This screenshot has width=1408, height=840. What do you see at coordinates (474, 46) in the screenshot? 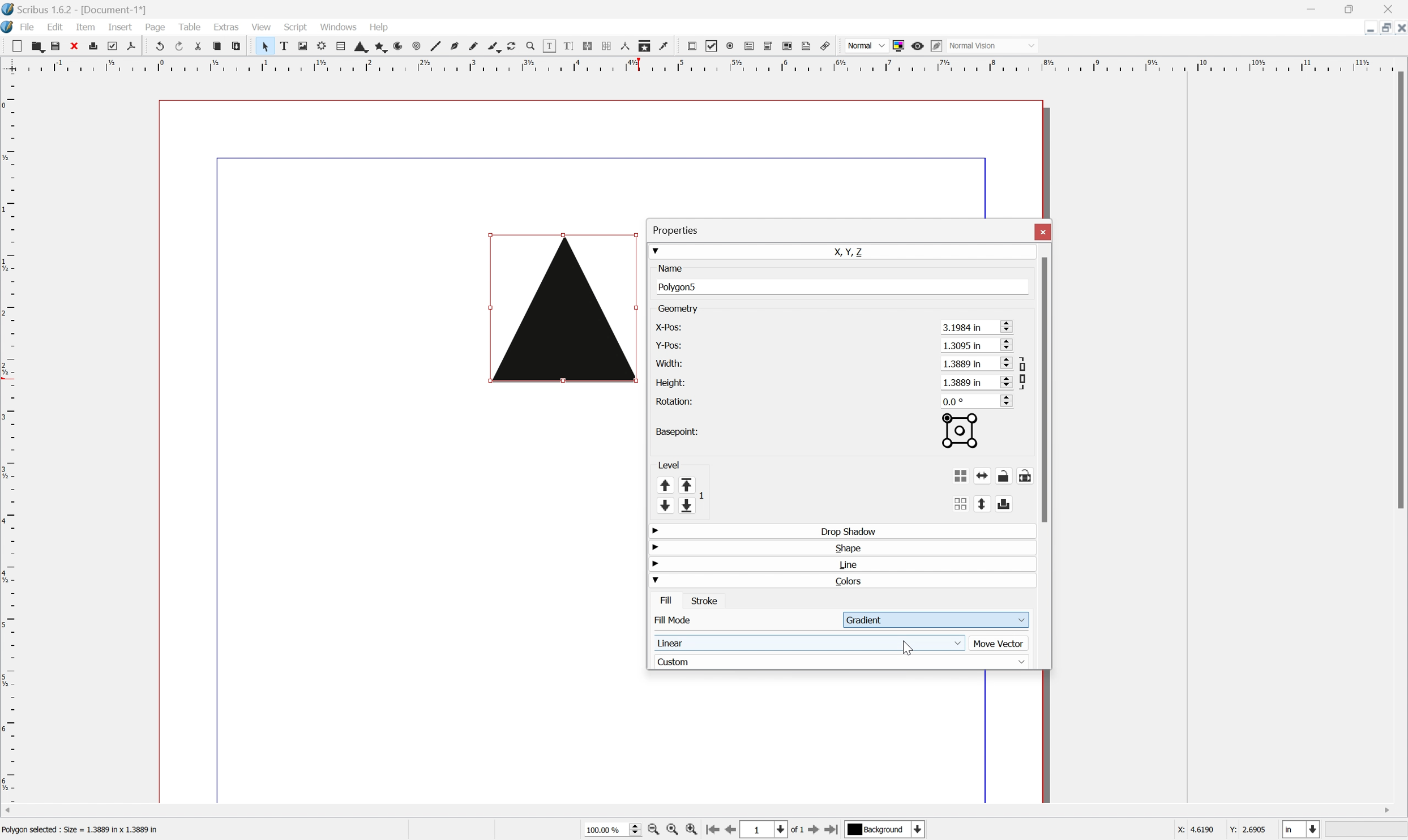
I see `Freehand line` at bounding box center [474, 46].